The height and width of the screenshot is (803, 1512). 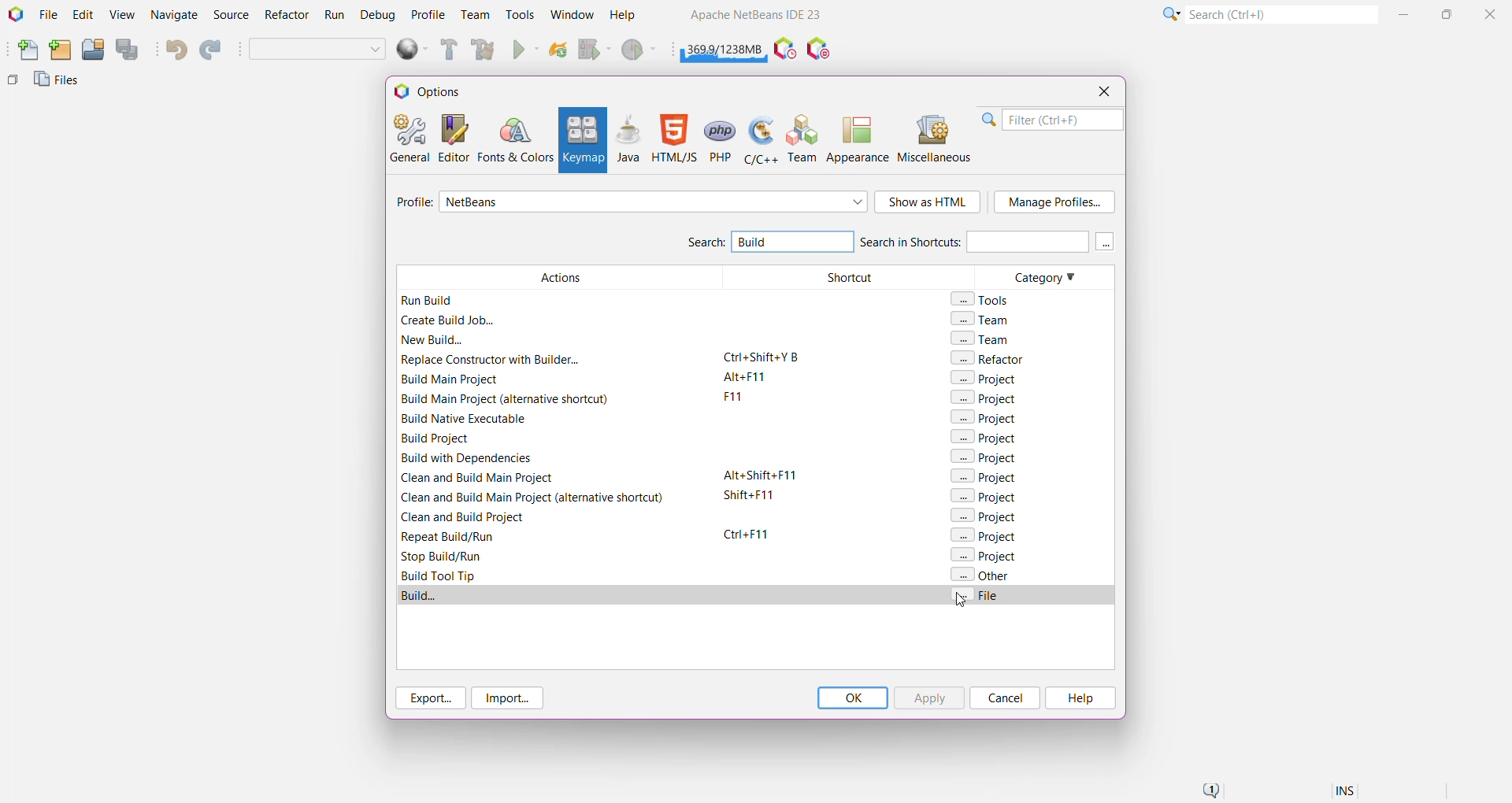 I want to click on Options, so click(x=435, y=91).